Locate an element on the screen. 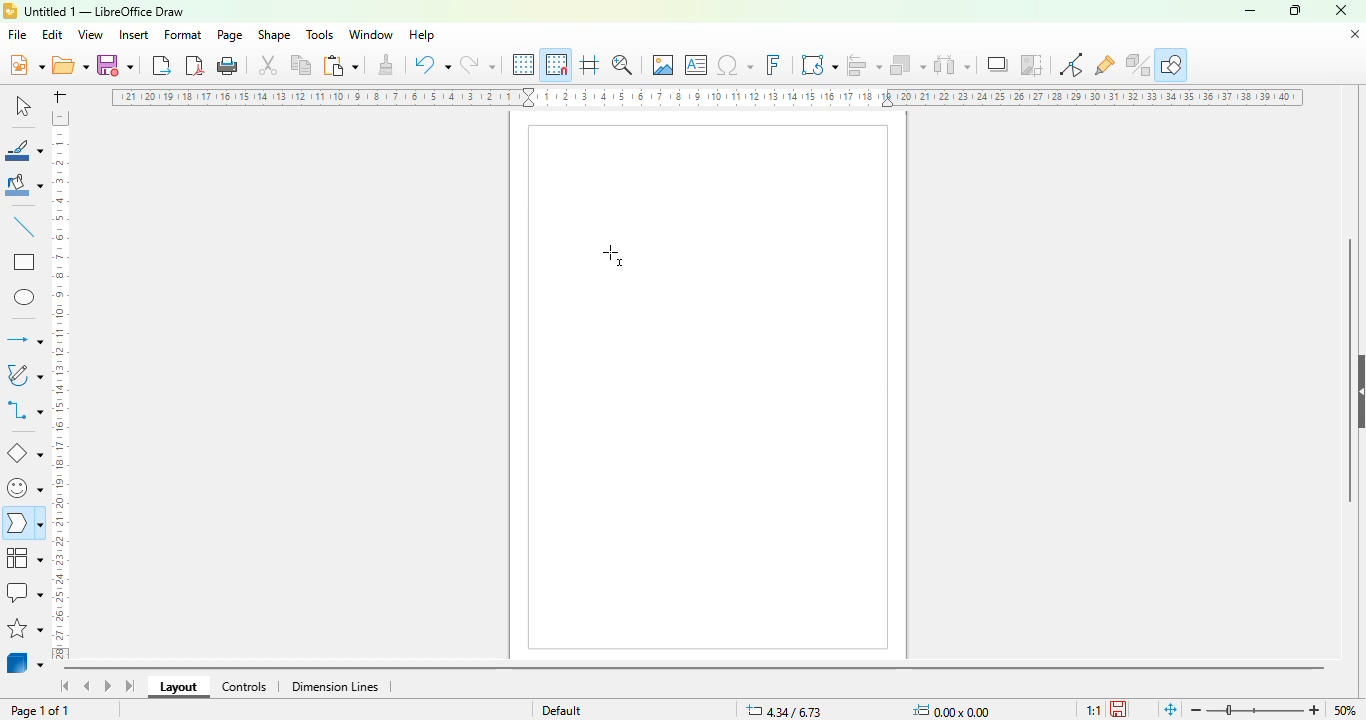 Image resolution: width=1366 pixels, height=720 pixels. zoom out is located at coordinates (1197, 710).